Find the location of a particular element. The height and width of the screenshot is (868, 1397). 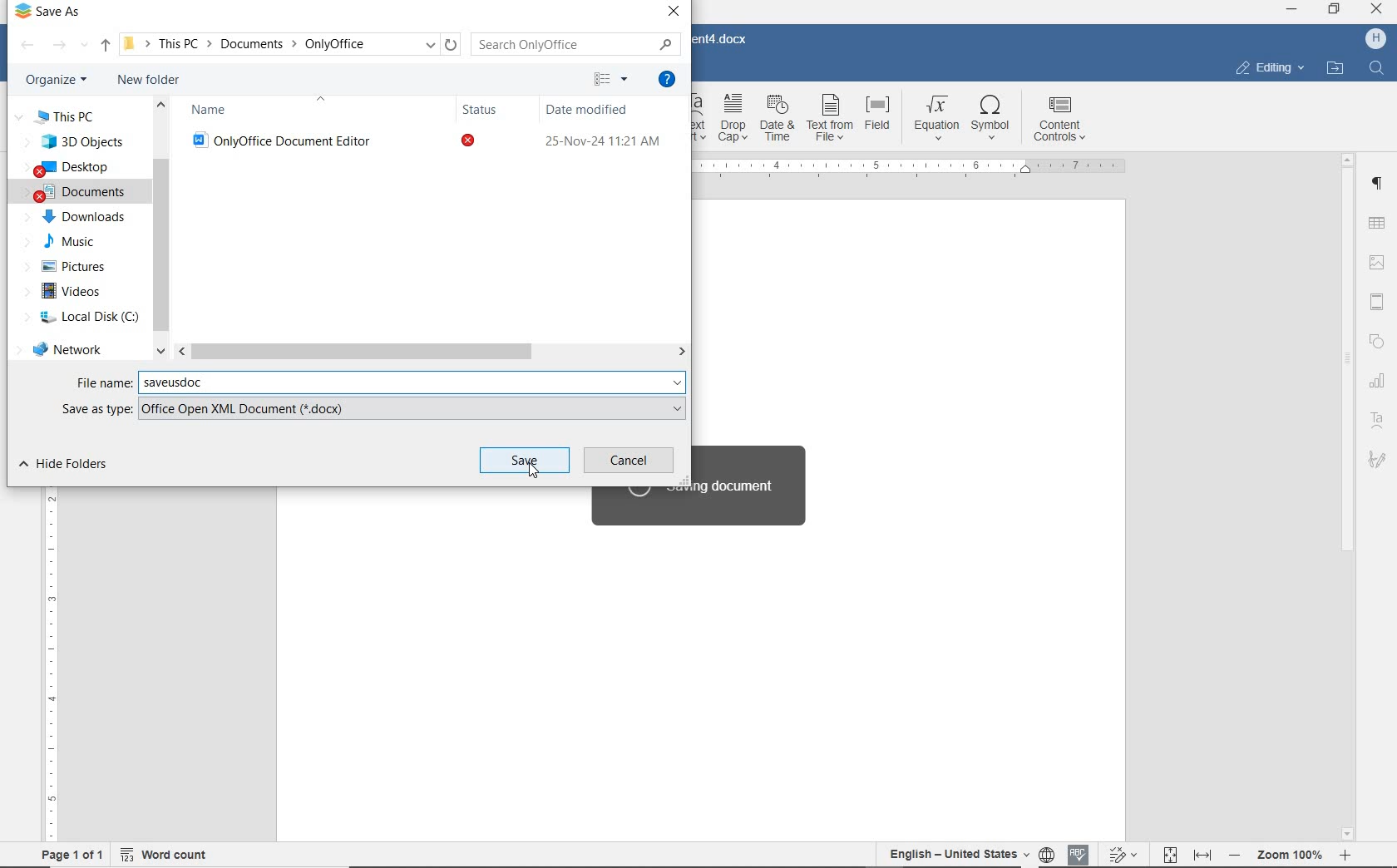

Search Only Office is located at coordinates (575, 47).